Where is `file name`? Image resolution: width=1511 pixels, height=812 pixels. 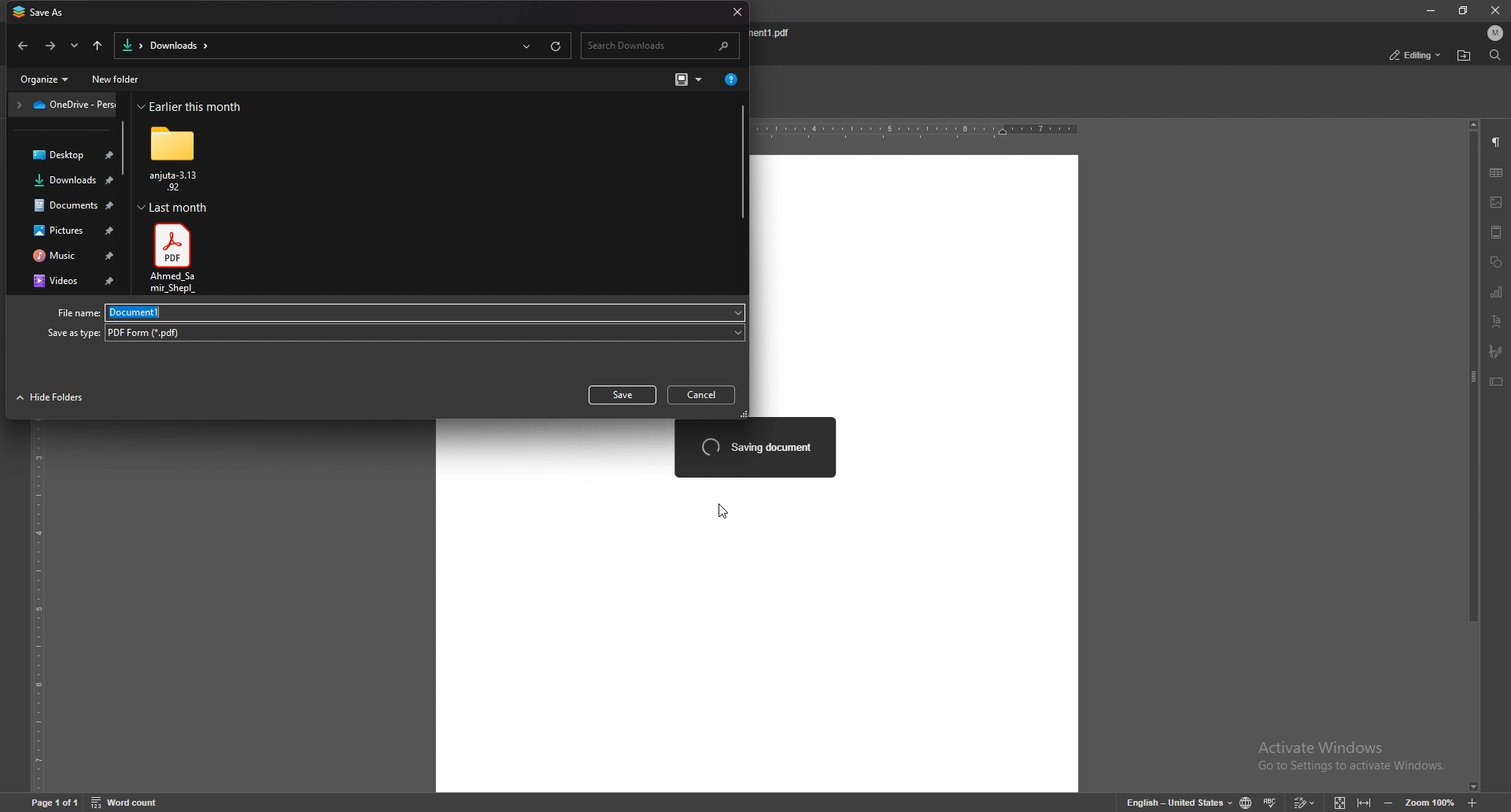
file name is located at coordinates (399, 312).